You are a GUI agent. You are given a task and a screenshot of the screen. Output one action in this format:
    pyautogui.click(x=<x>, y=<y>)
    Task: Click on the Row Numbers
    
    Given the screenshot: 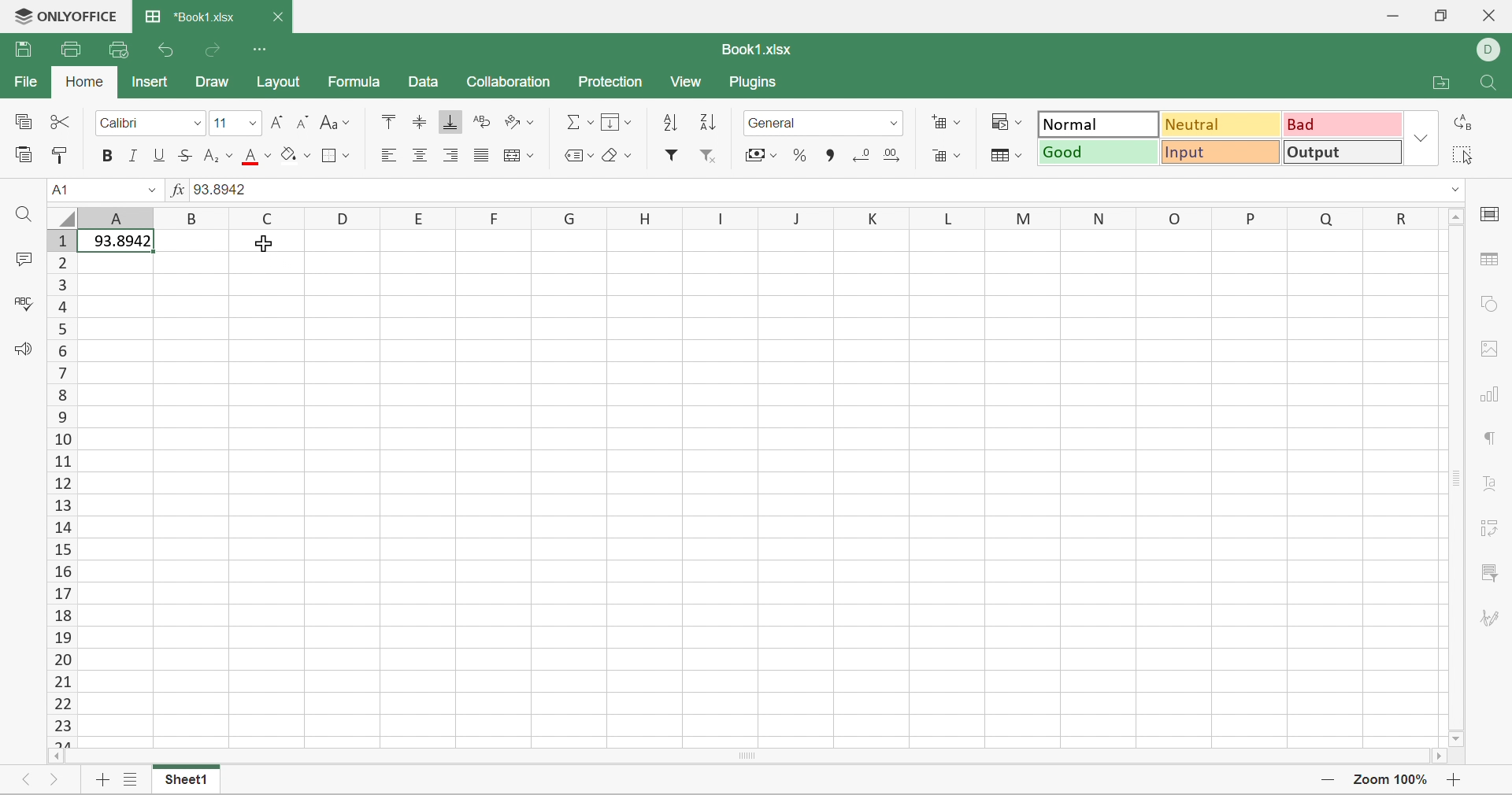 What is the action you would take?
    pyautogui.click(x=62, y=487)
    